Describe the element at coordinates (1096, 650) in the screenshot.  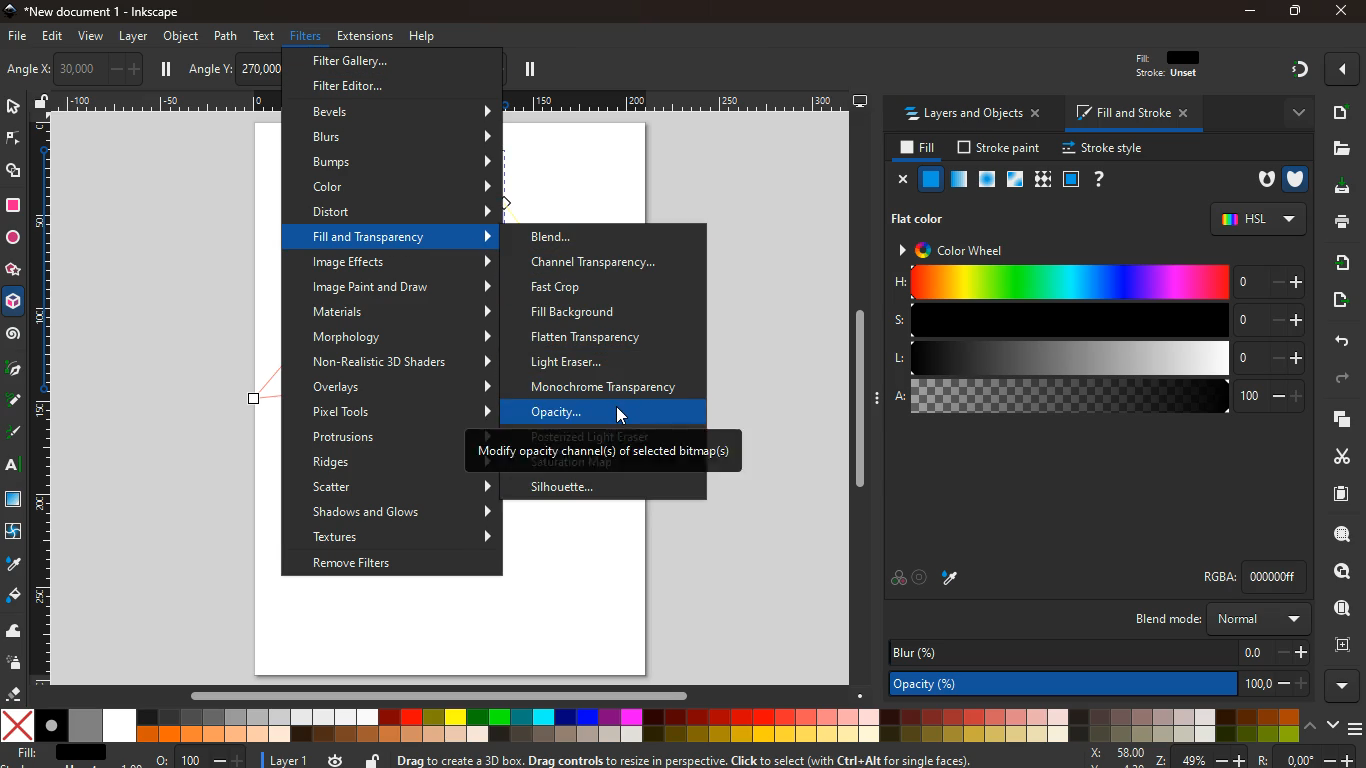
I see `blur` at that location.